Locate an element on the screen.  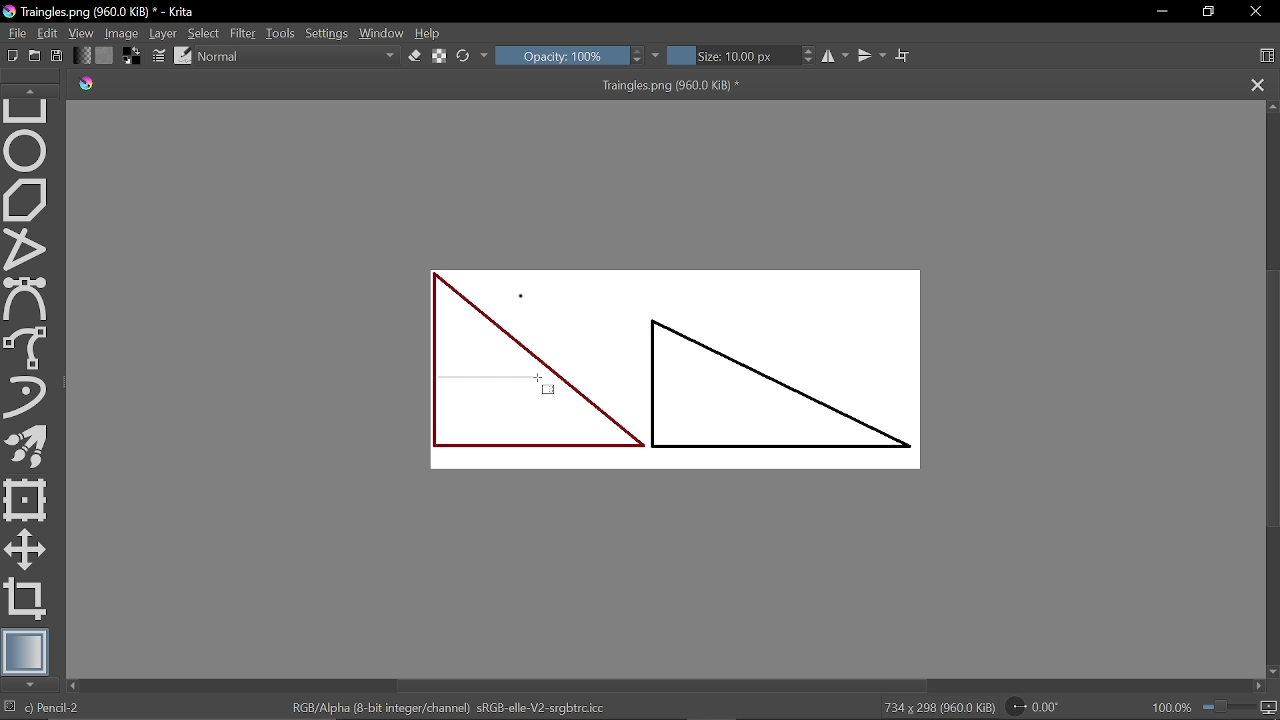
Normal is located at coordinates (298, 56).